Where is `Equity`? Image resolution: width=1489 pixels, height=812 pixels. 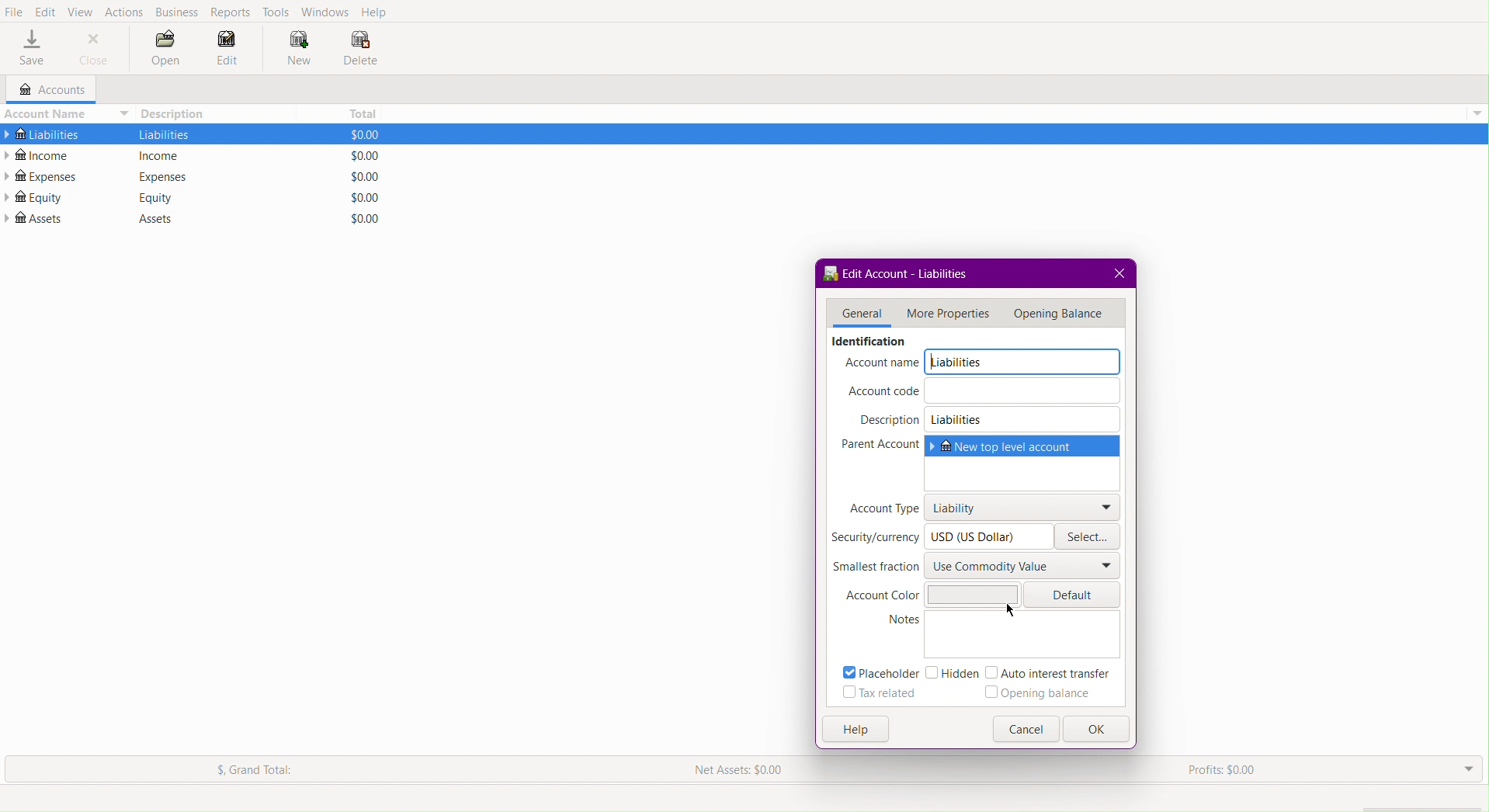
Equity is located at coordinates (33, 197).